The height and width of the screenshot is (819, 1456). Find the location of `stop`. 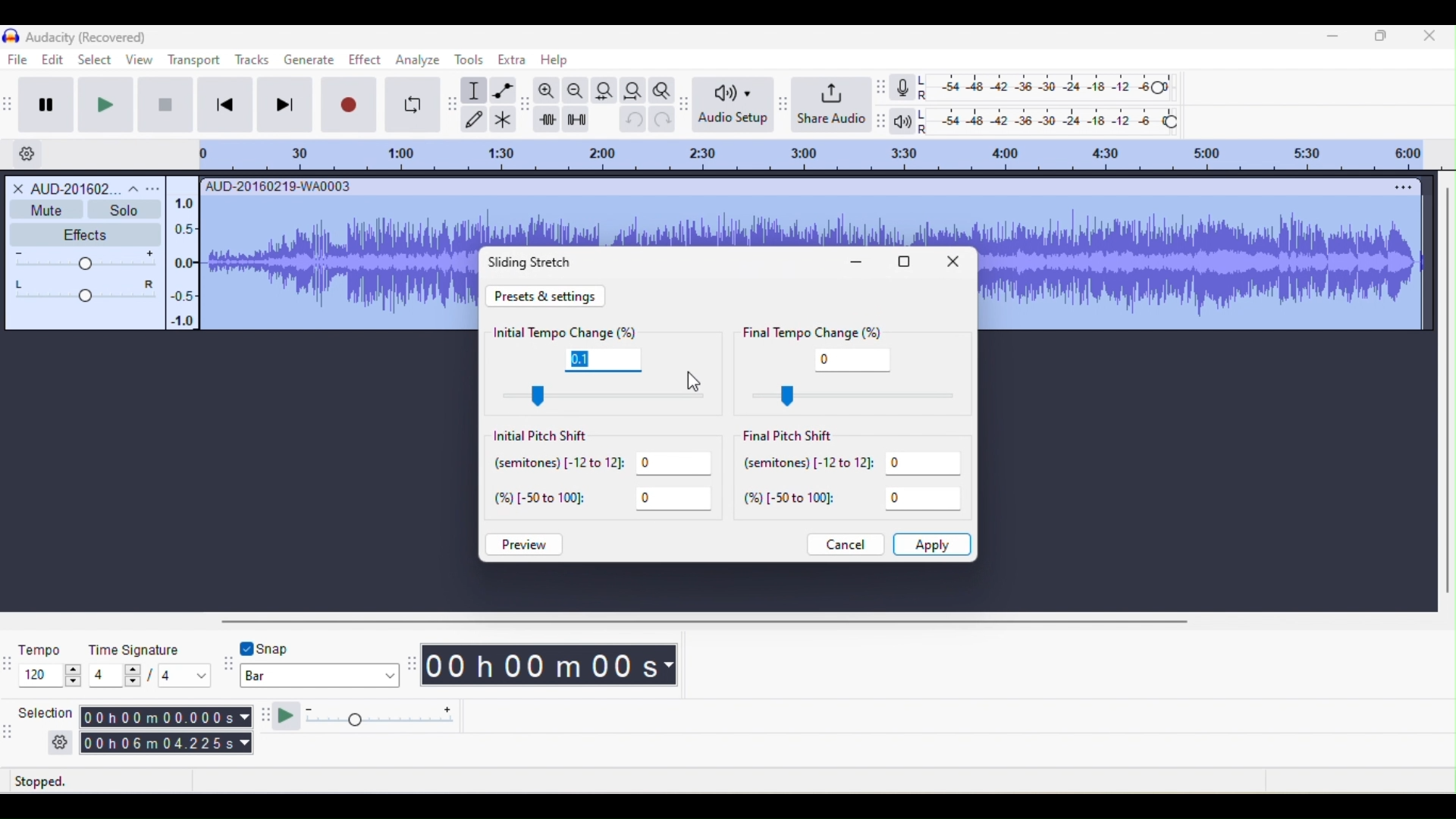

stop is located at coordinates (163, 104).